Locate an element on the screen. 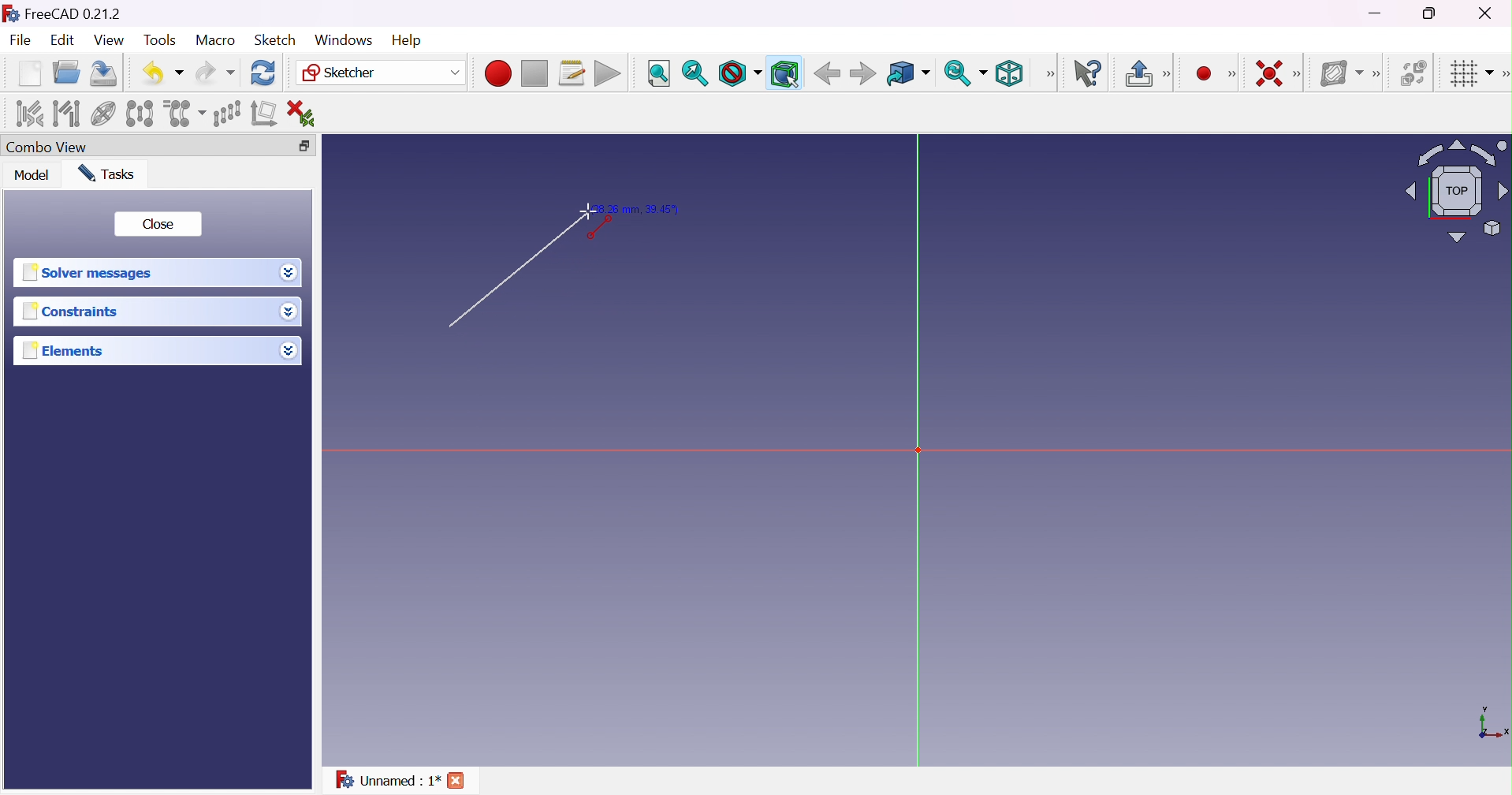 Image resolution: width=1512 pixels, height=795 pixels. Windows is located at coordinates (342, 39).